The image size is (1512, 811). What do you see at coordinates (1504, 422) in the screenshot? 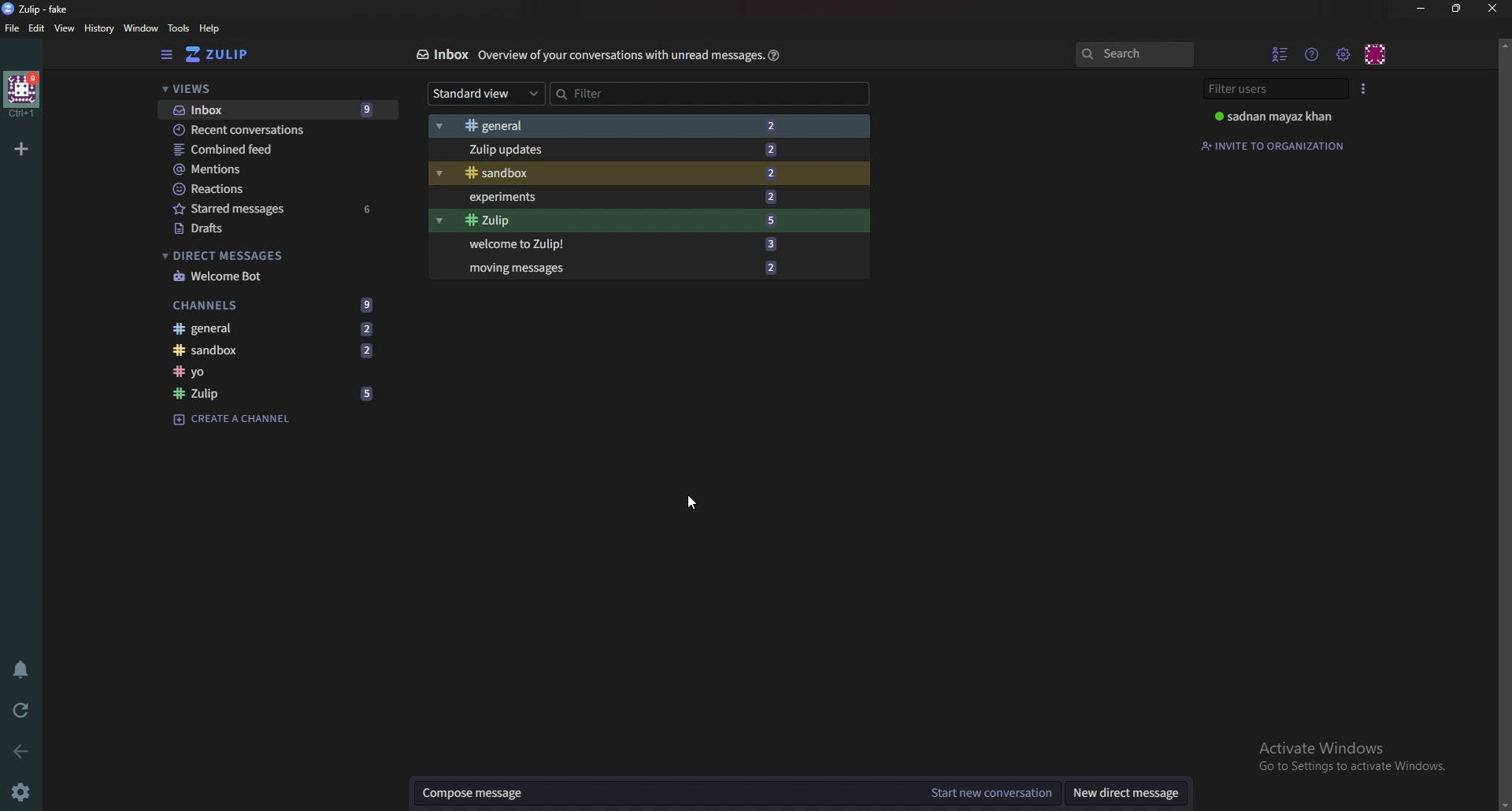
I see `Scroll bar` at bounding box center [1504, 422].